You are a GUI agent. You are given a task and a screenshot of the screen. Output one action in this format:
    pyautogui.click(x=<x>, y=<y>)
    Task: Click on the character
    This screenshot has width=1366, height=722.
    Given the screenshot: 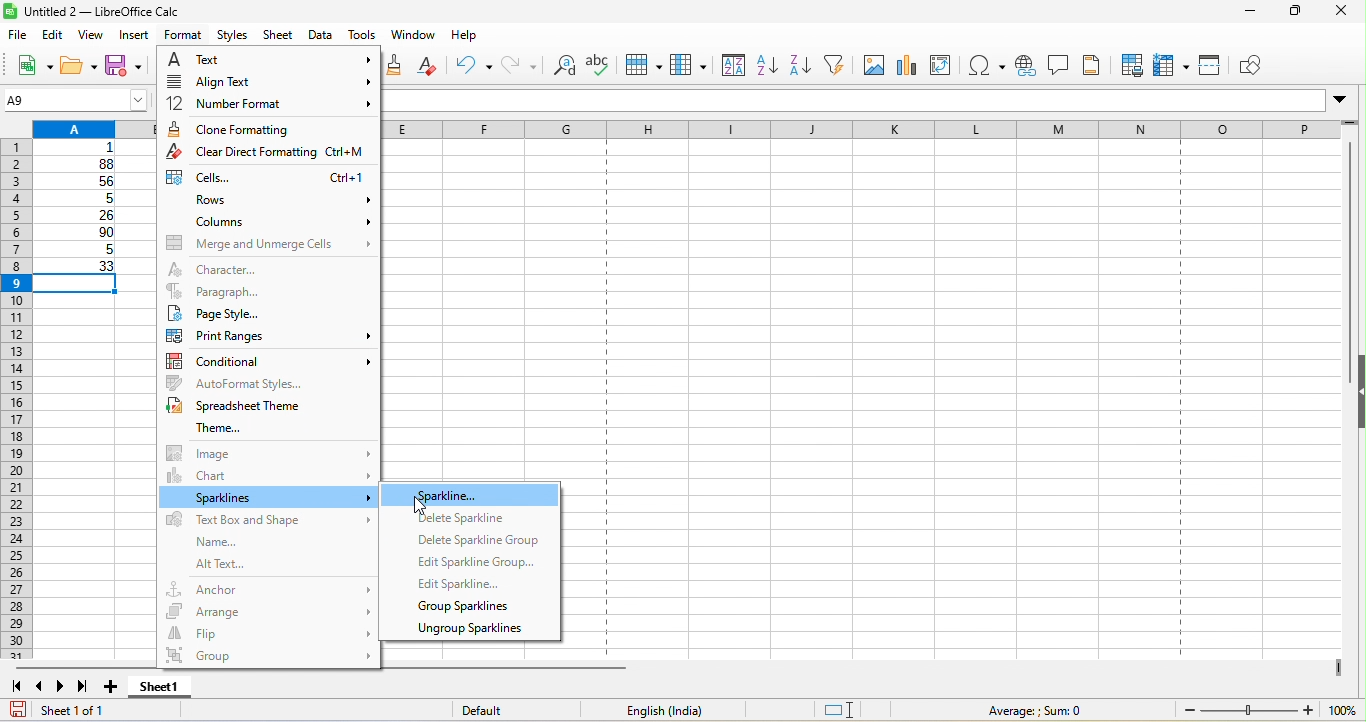 What is the action you would take?
    pyautogui.click(x=250, y=268)
    